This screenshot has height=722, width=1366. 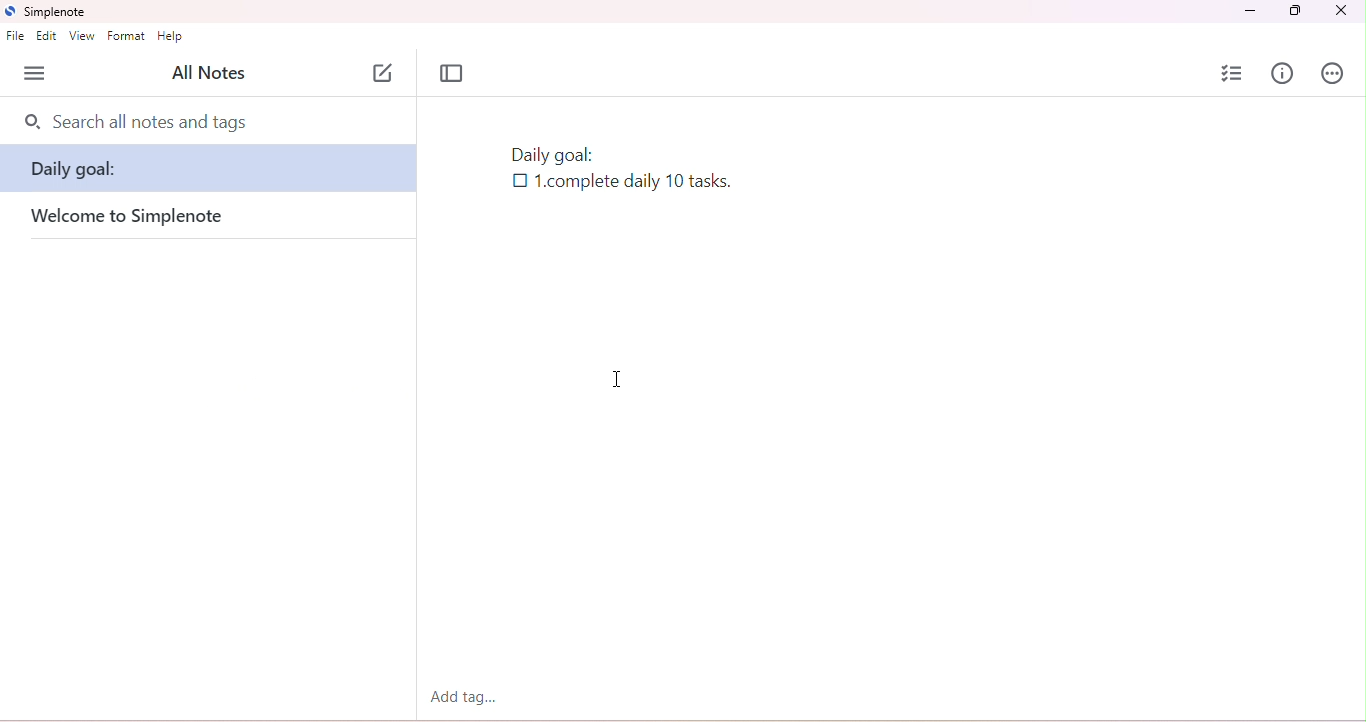 What do you see at coordinates (210, 118) in the screenshot?
I see `search bar` at bounding box center [210, 118].